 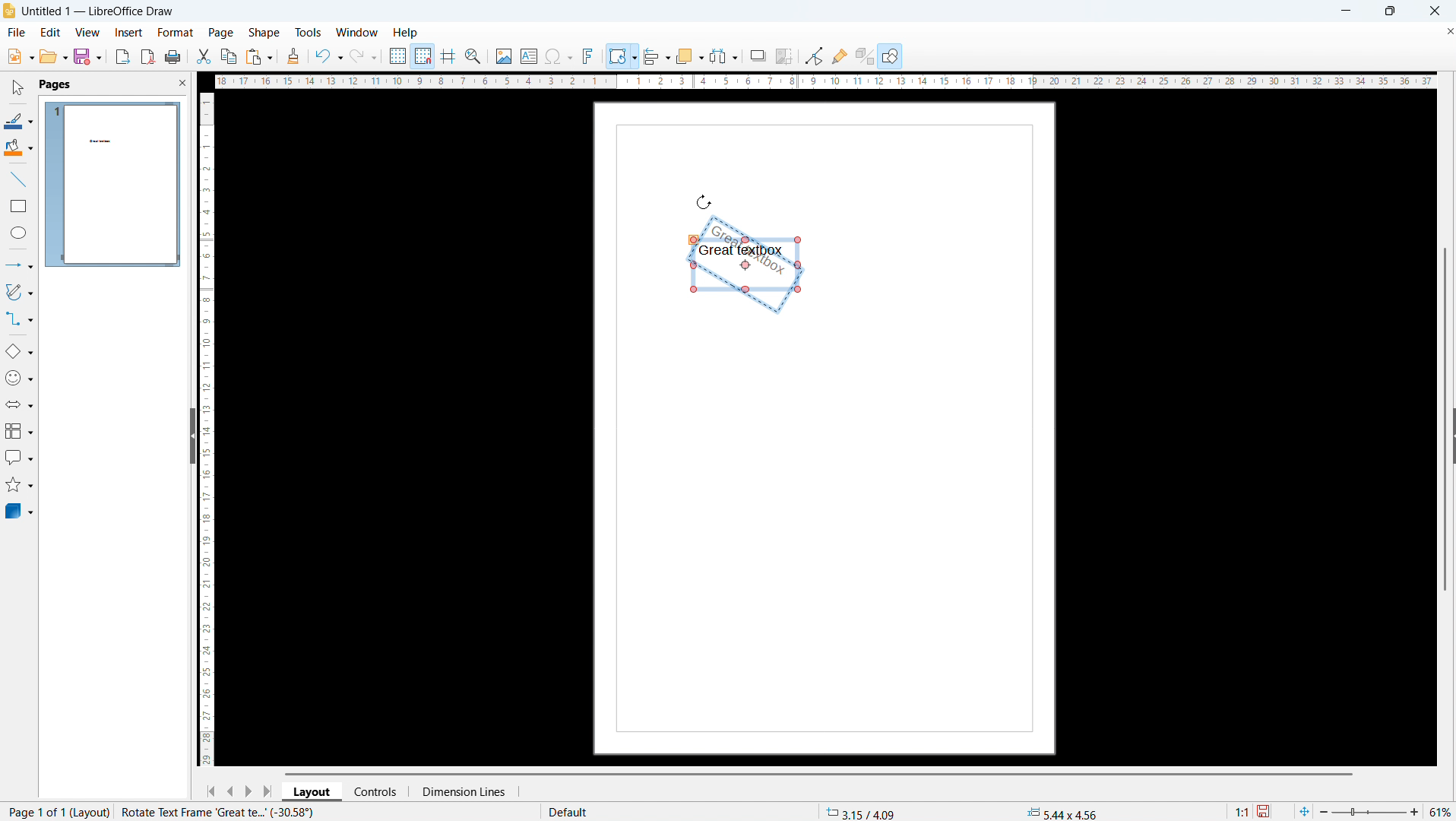 What do you see at coordinates (123, 56) in the screenshot?
I see `export` at bounding box center [123, 56].